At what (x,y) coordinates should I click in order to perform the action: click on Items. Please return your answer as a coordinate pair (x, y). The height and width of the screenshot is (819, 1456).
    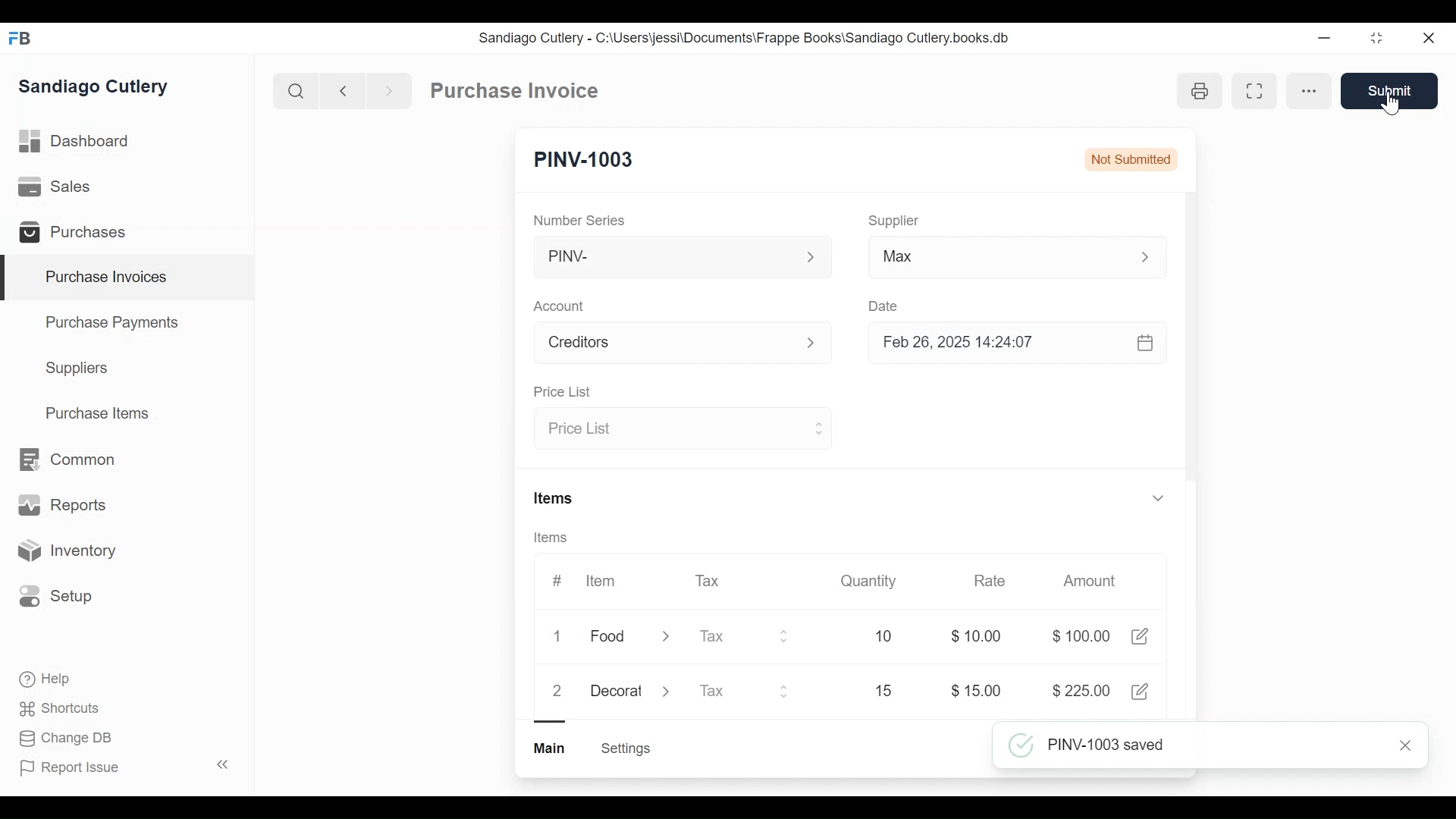
    Looking at the image, I should click on (556, 538).